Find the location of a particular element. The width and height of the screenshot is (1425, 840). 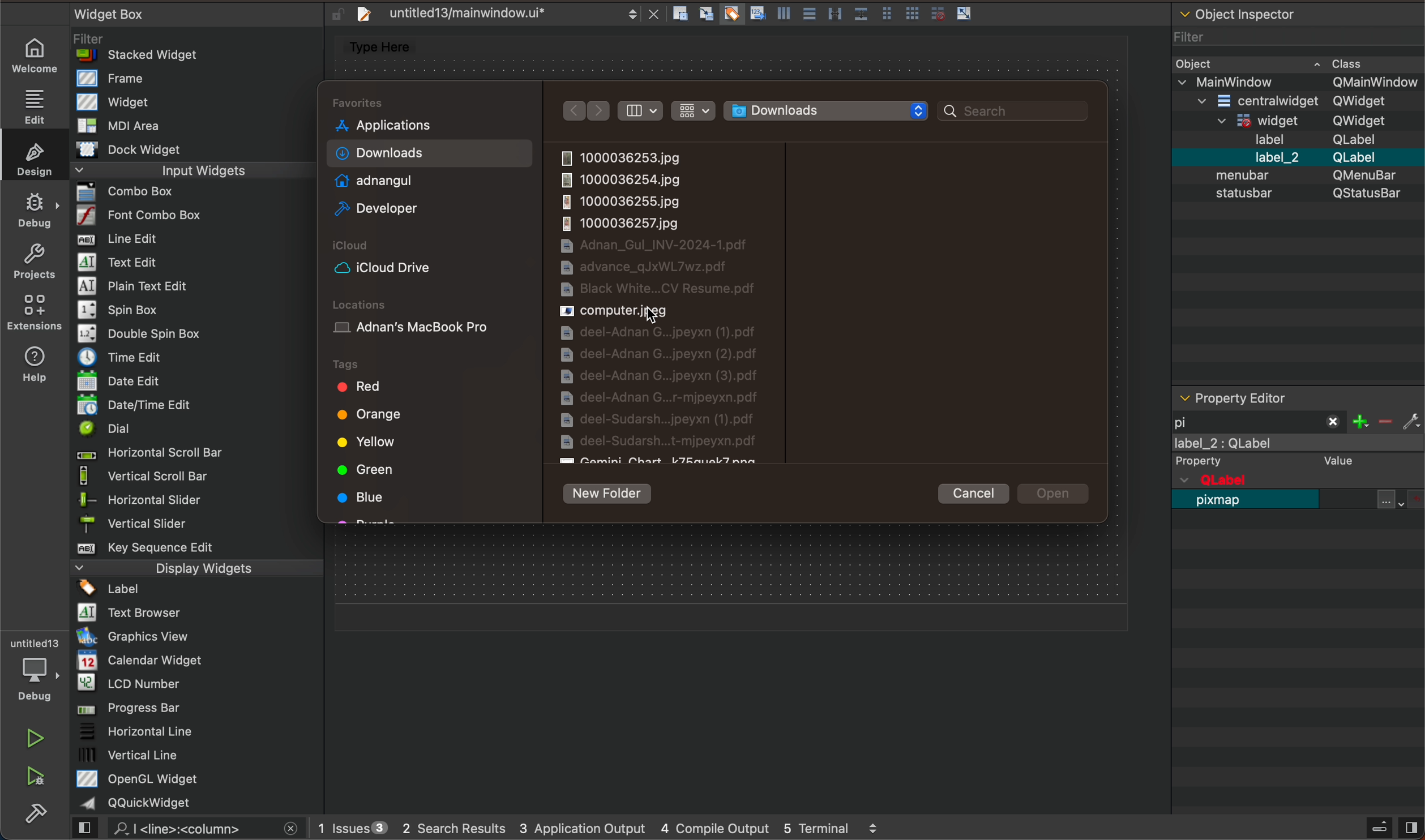

cancel is located at coordinates (980, 494).